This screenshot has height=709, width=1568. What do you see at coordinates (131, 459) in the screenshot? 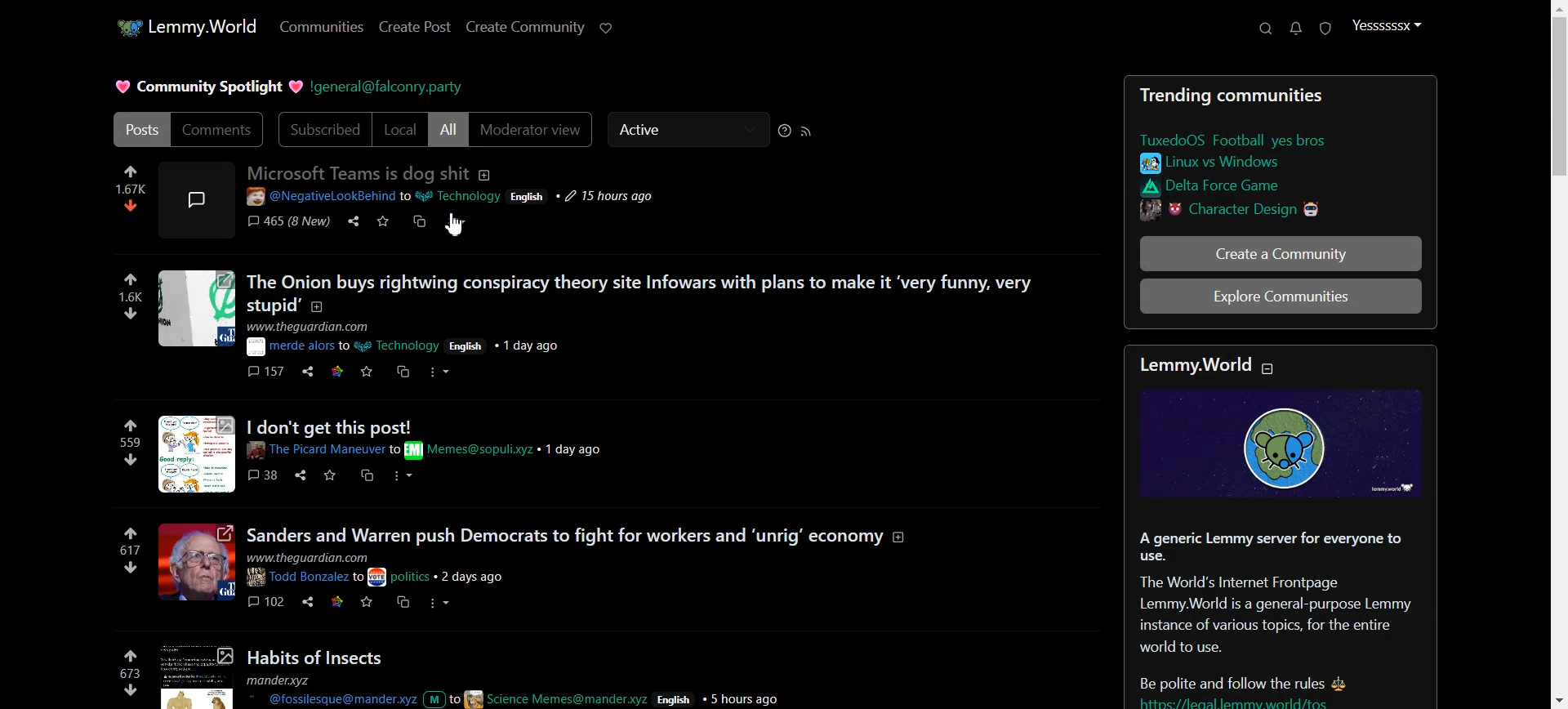
I see `dislike` at bounding box center [131, 459].